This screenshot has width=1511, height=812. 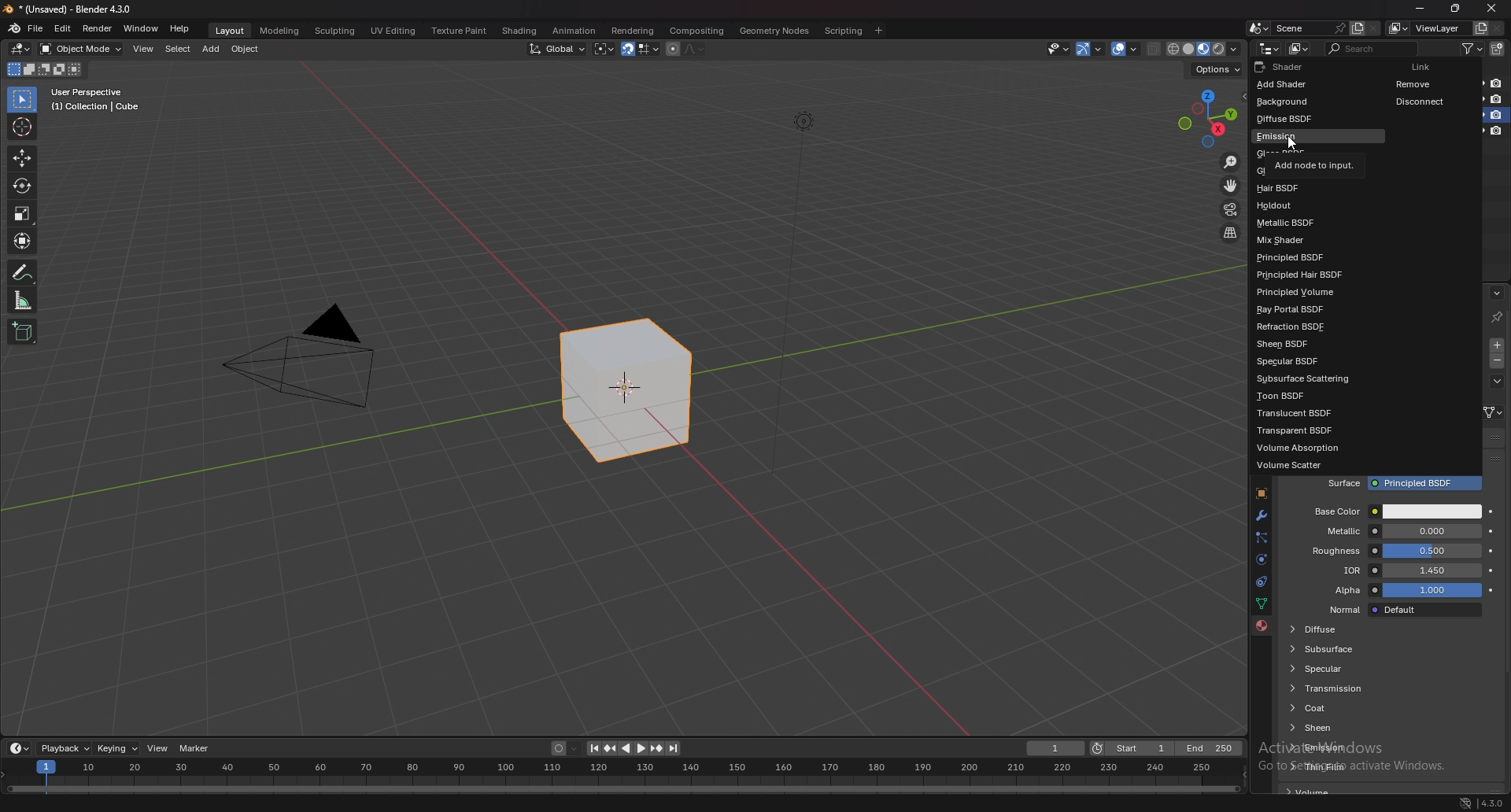 I want to click on emission, so click(x=1353, y=746).